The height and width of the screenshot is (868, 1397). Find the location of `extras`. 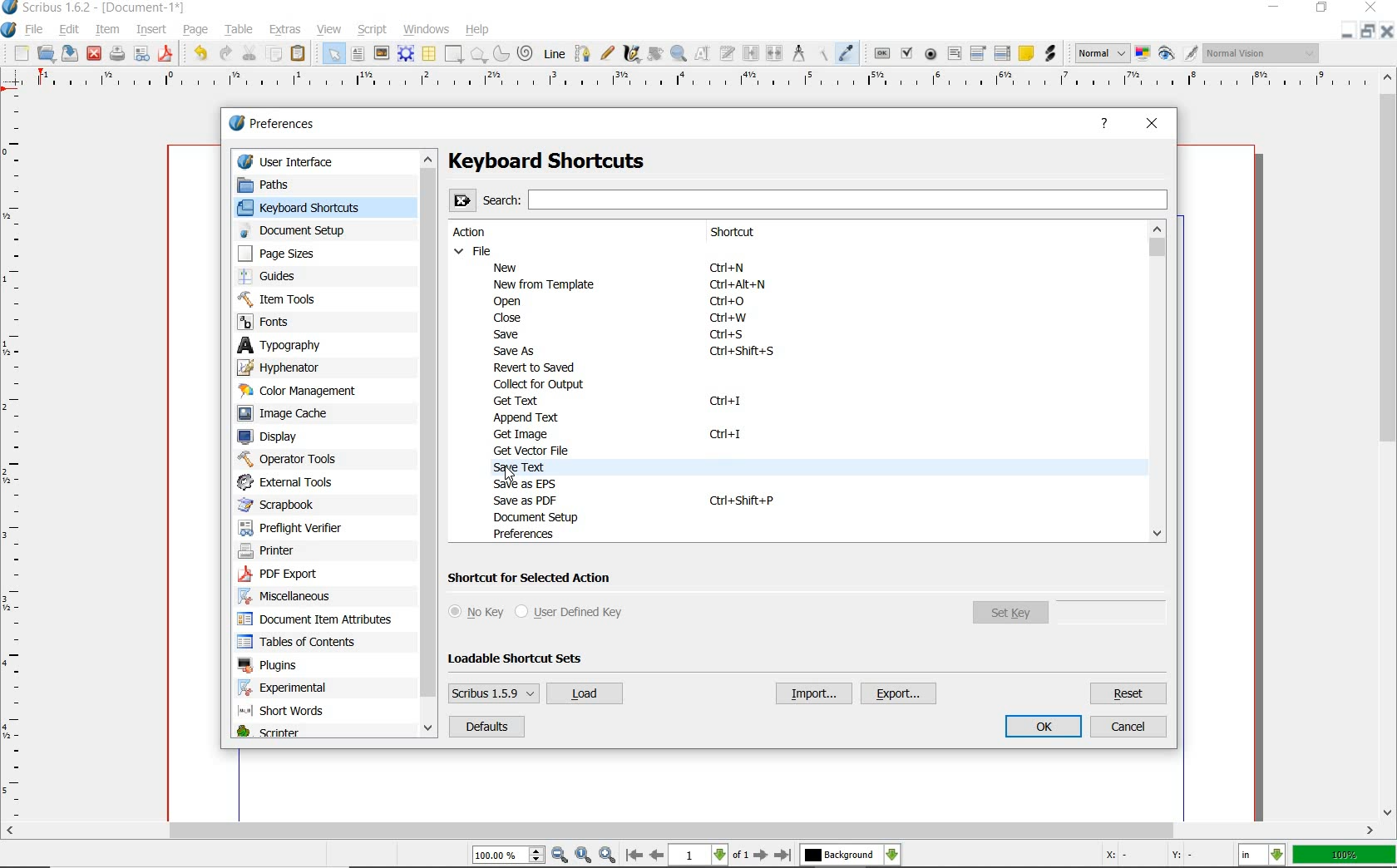

extras is located at coordinates (288, 30).